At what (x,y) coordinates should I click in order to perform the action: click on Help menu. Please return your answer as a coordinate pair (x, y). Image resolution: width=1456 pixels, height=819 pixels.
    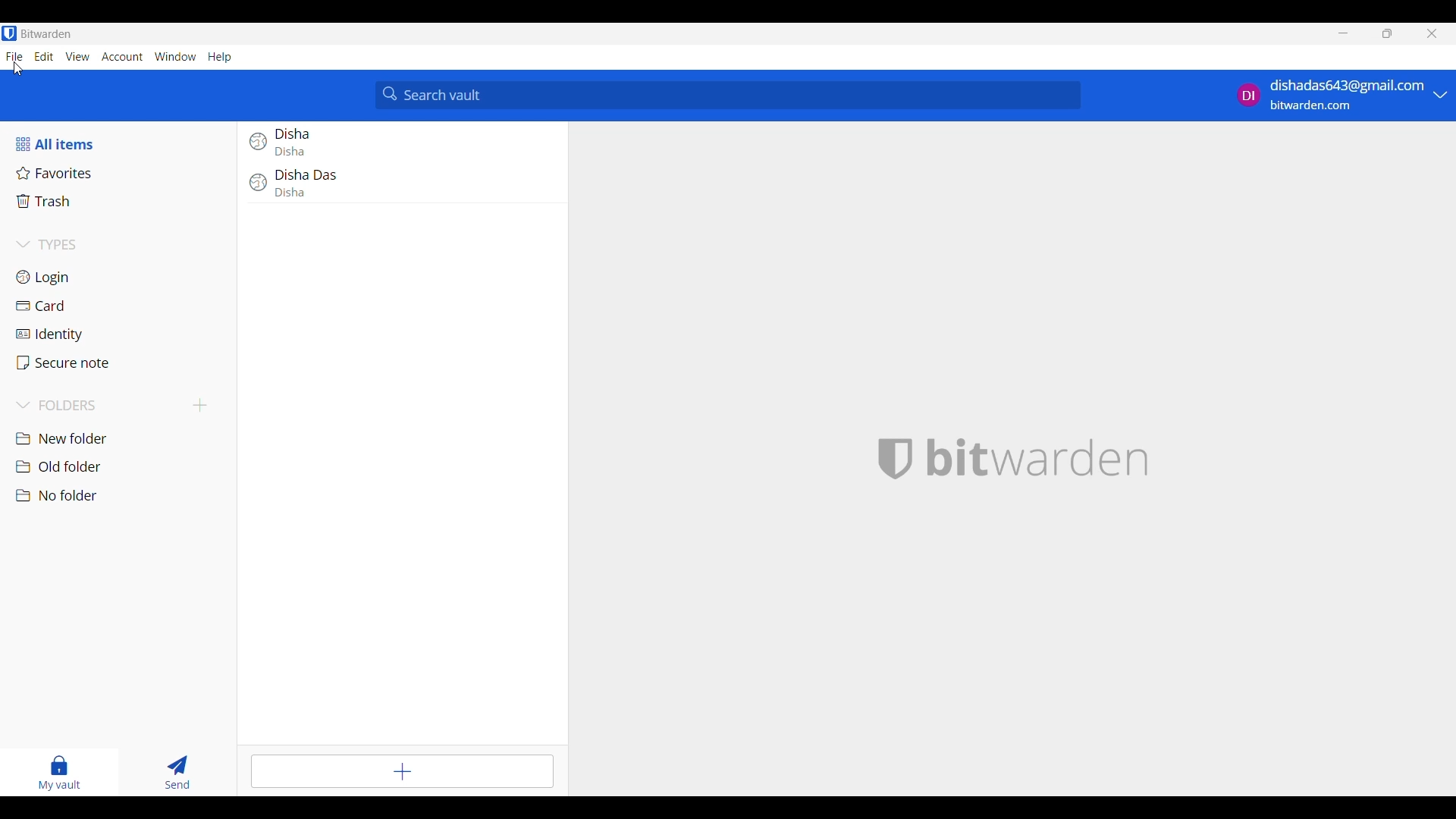
    Looking at the image, I should click on (220, 58).